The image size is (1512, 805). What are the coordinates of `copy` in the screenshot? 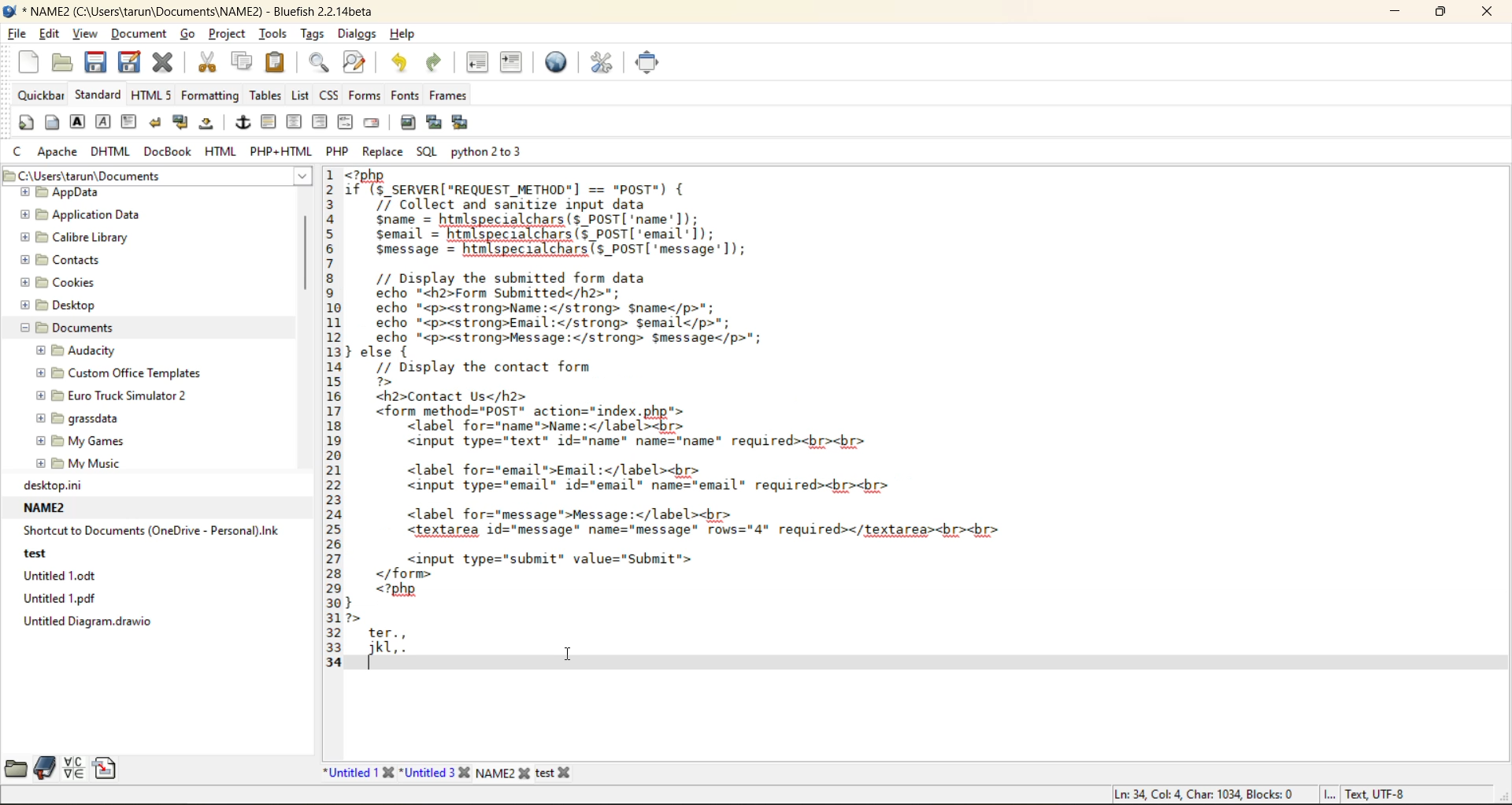 It's located at (239, 65).